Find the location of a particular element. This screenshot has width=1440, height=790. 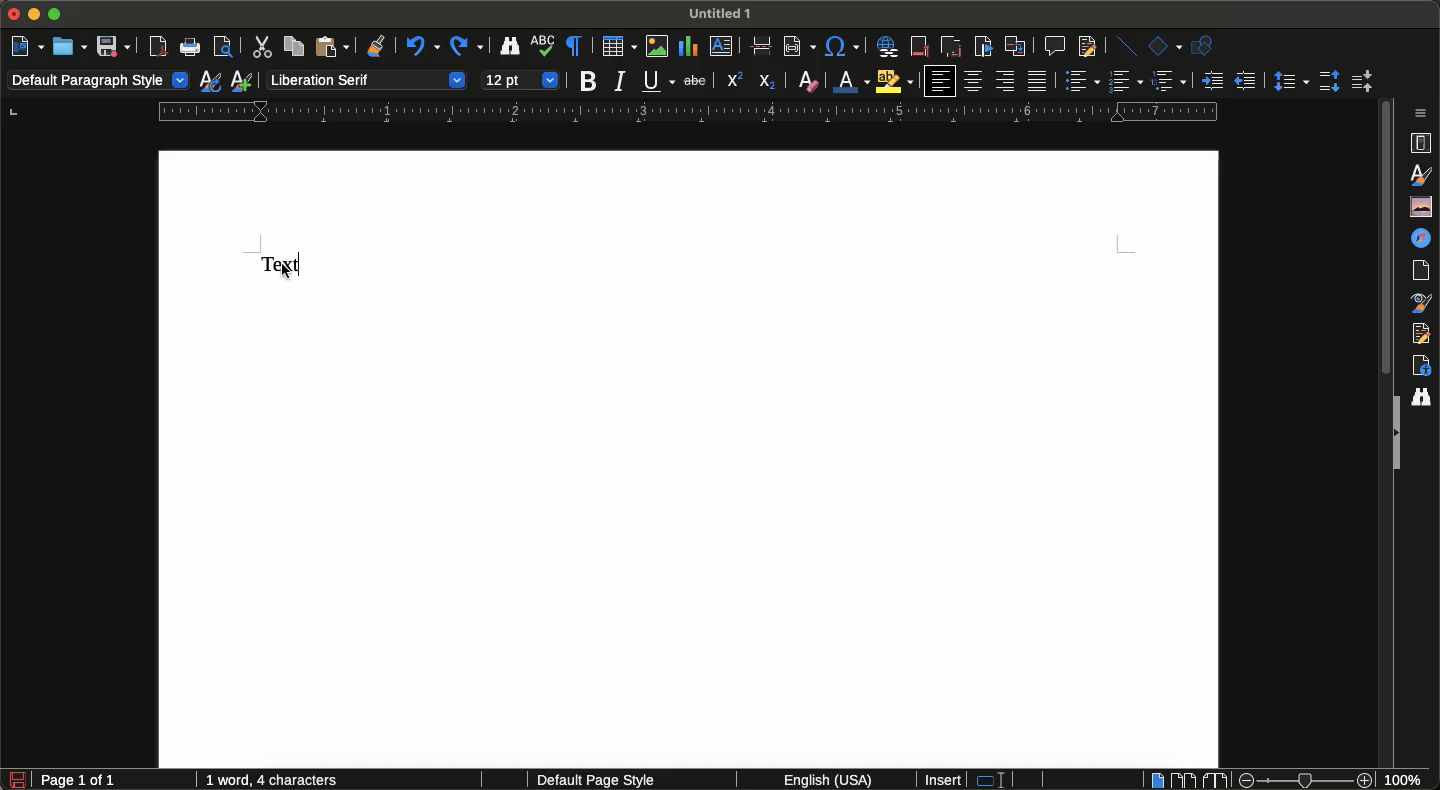

Insert field is located at coordinates (798, 45).